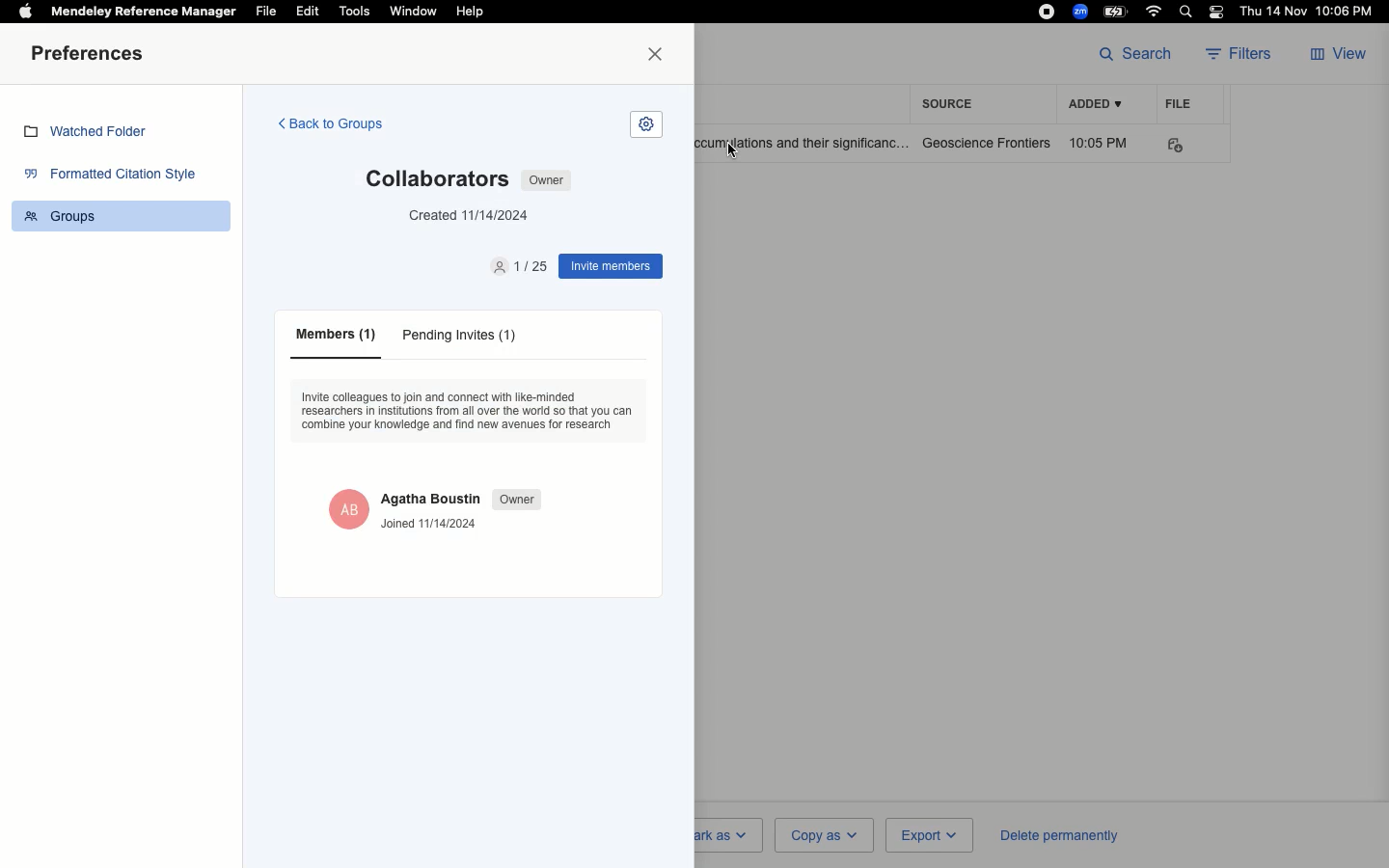  Describe the element at coordinates (1217, 14) in the screenshot. I see `Notification bar` at that location.